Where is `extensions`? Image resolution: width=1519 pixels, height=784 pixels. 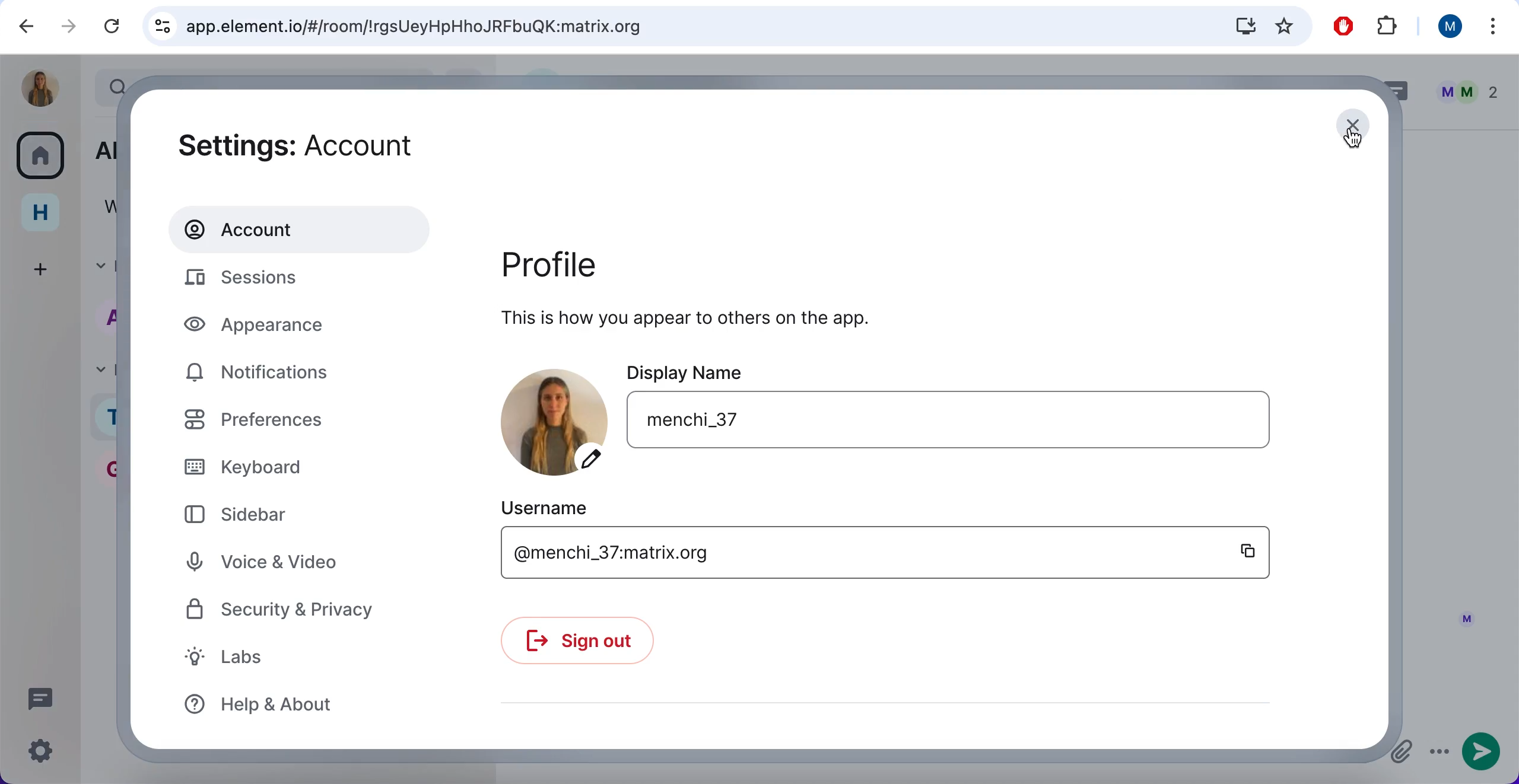
extensions is located at coordinates (1389, 28).